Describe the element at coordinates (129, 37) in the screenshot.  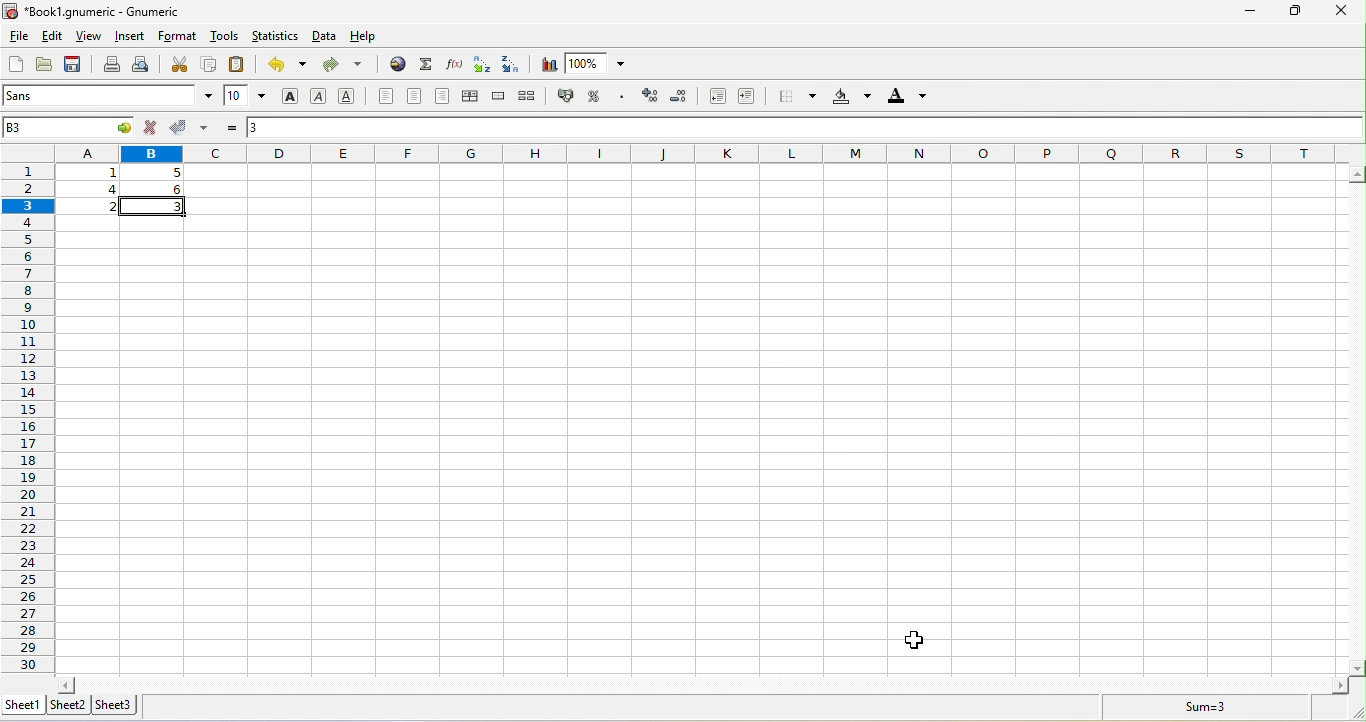
I see `insert` at that location.